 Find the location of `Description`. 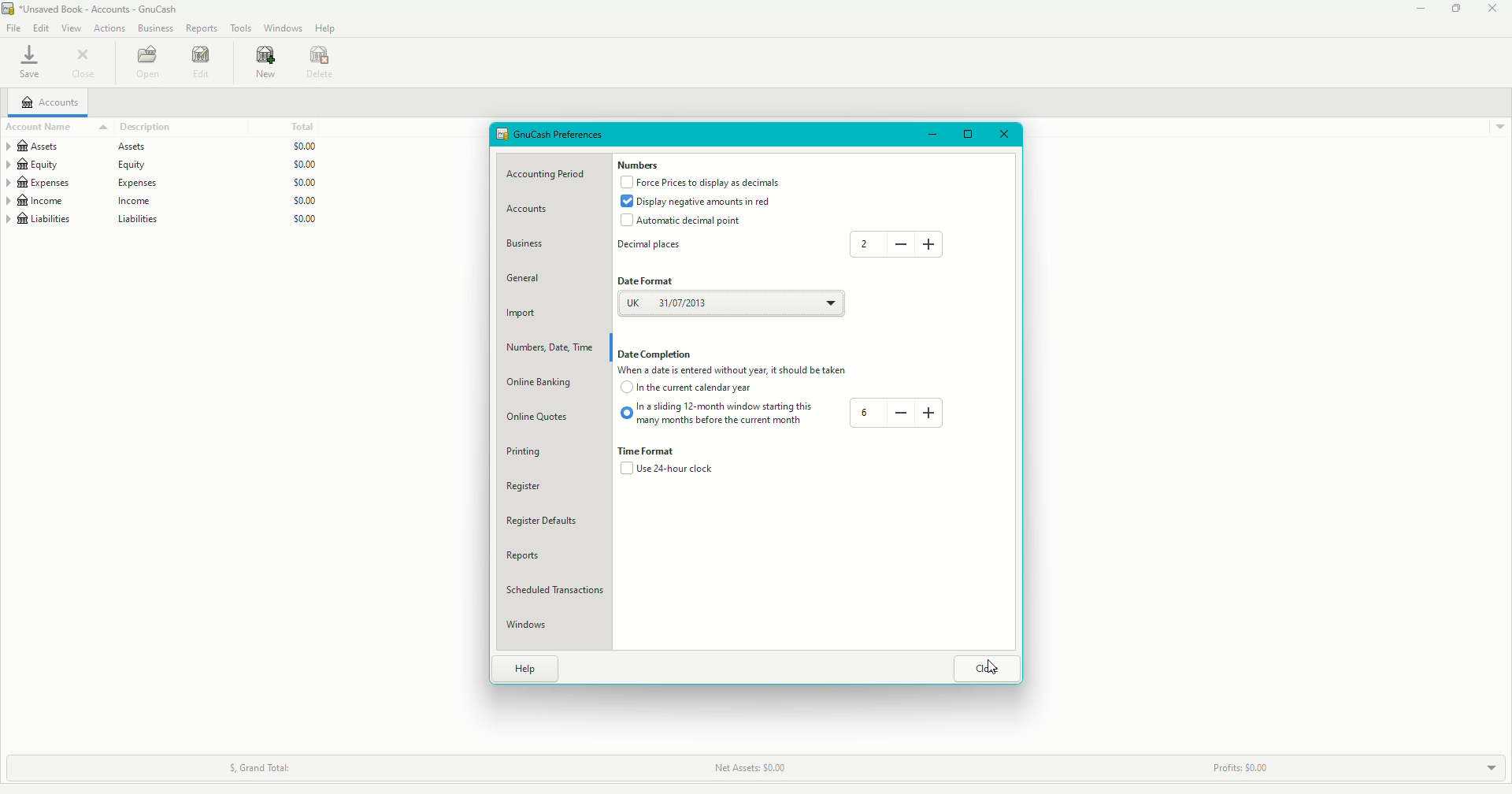

Description is located at coordinates (137, 125).